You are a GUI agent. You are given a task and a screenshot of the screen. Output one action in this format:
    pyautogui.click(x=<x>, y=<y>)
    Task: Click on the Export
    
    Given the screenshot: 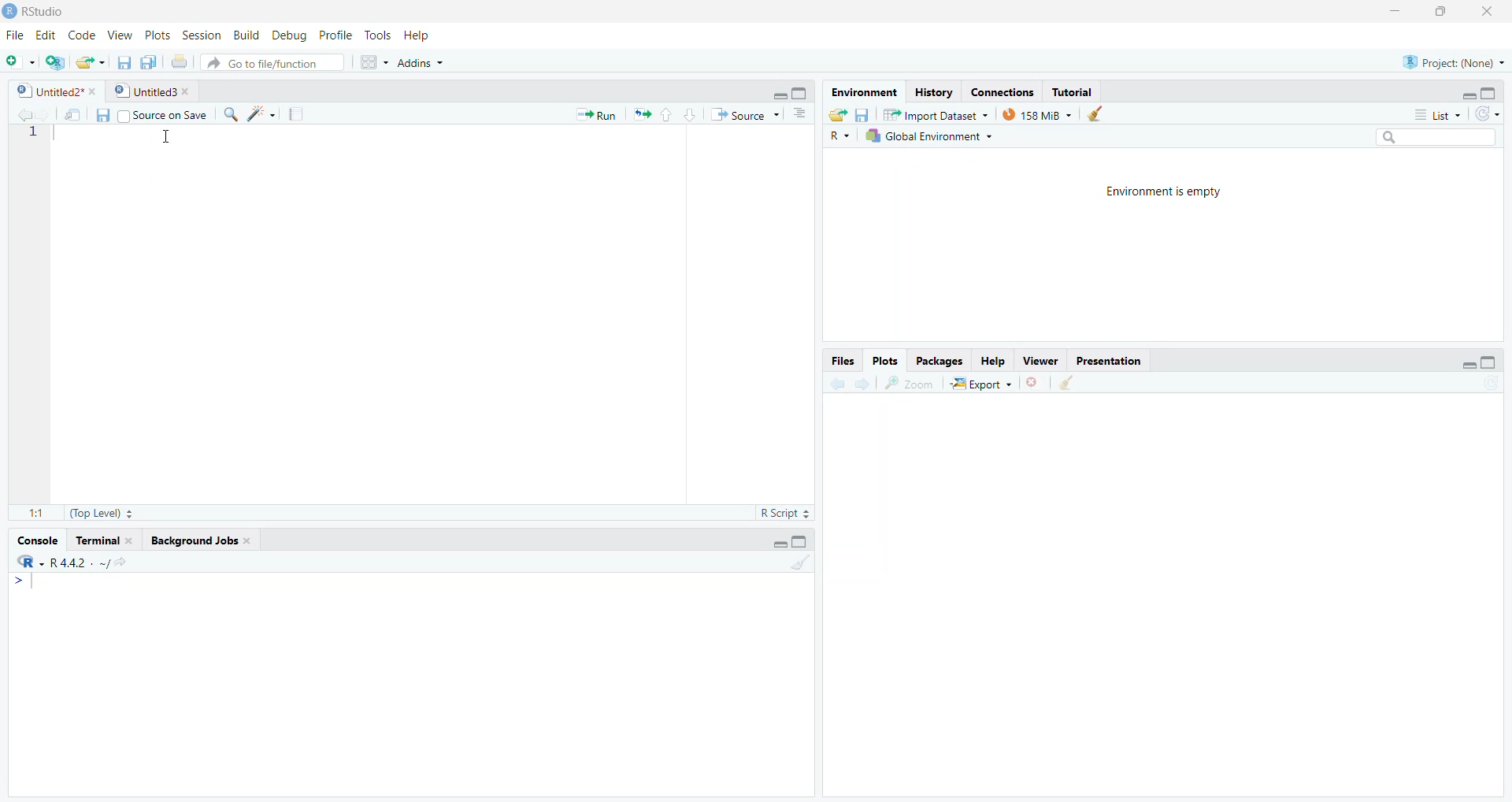 What is the action you would take?
    pyautogui.click(x=979, y=384)
    